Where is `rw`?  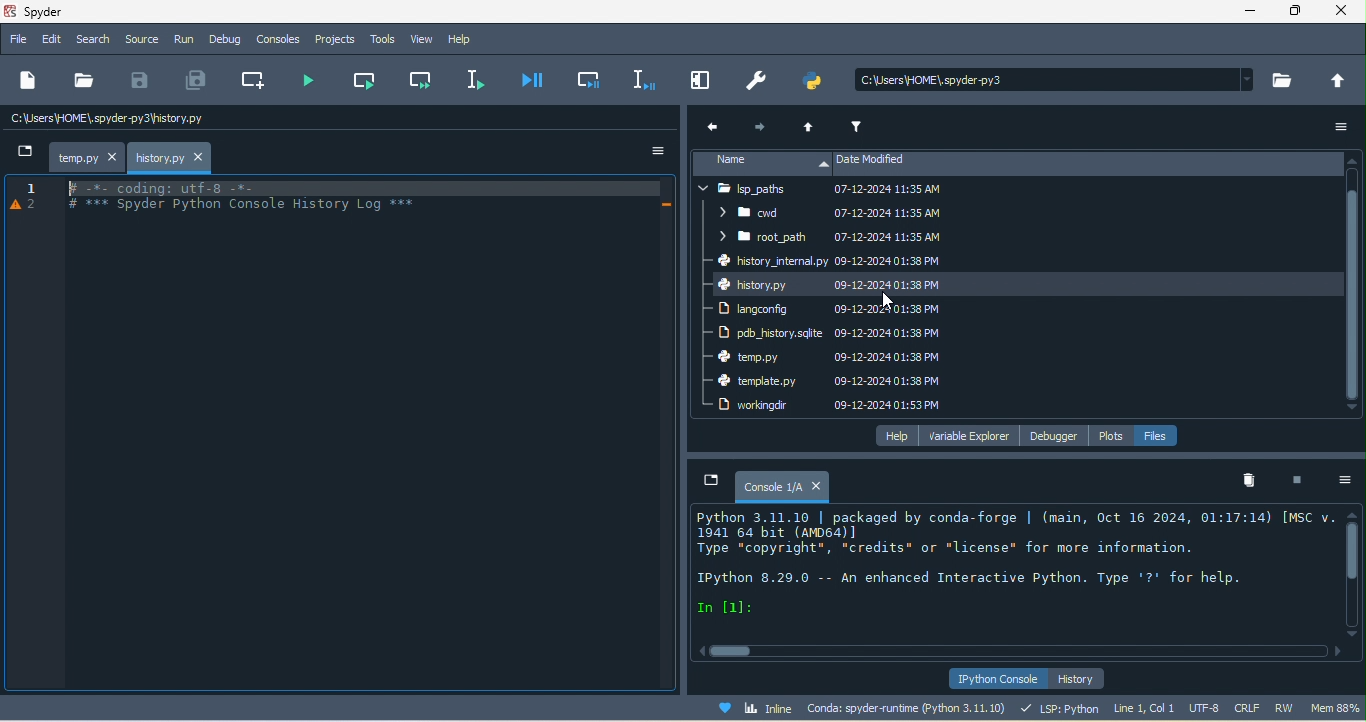 rw is located at coordinates (1290, 706).